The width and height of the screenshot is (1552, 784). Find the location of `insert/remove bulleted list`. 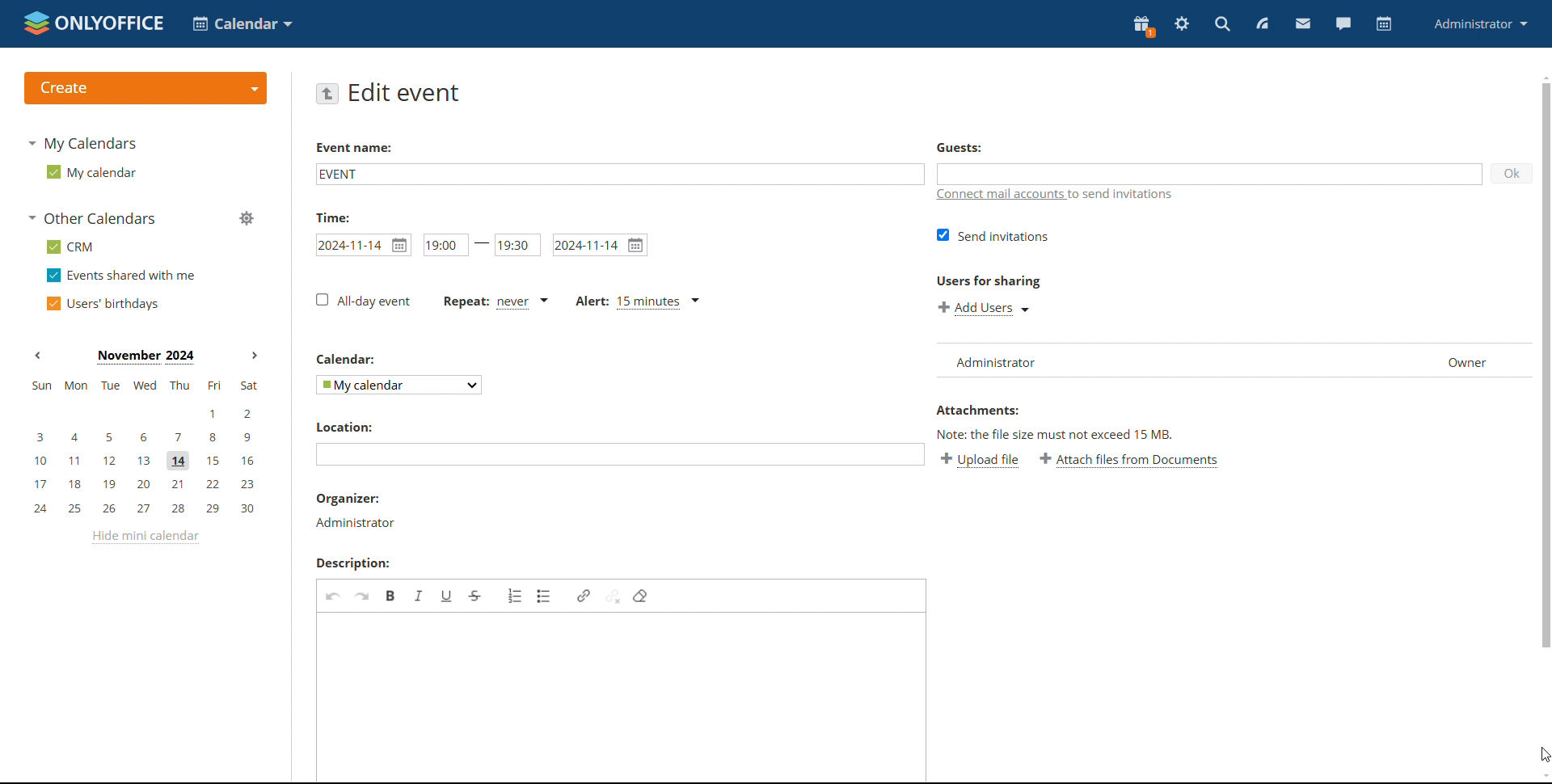

insert/remove bulleted list is located at coordinates (545, 596).